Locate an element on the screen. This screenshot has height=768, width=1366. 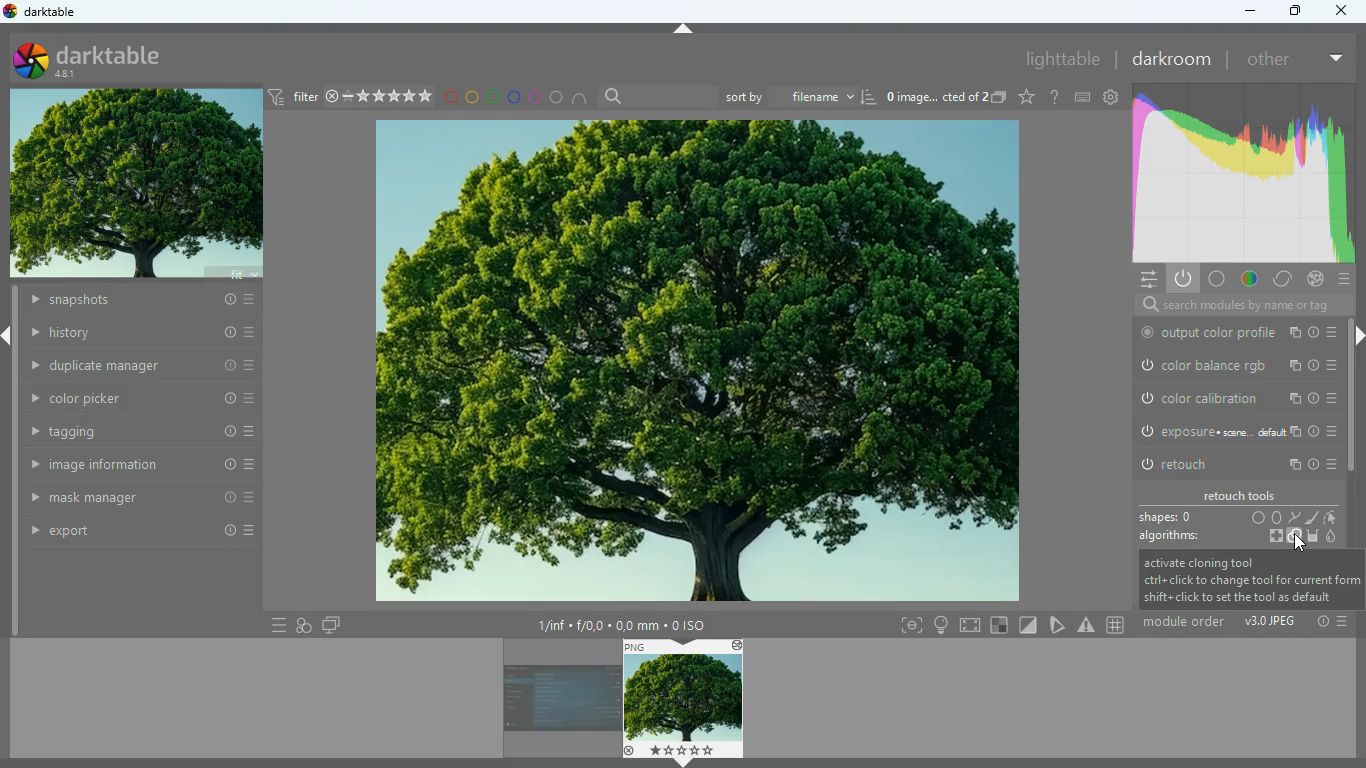
control is located at coordinates (1284, 279).